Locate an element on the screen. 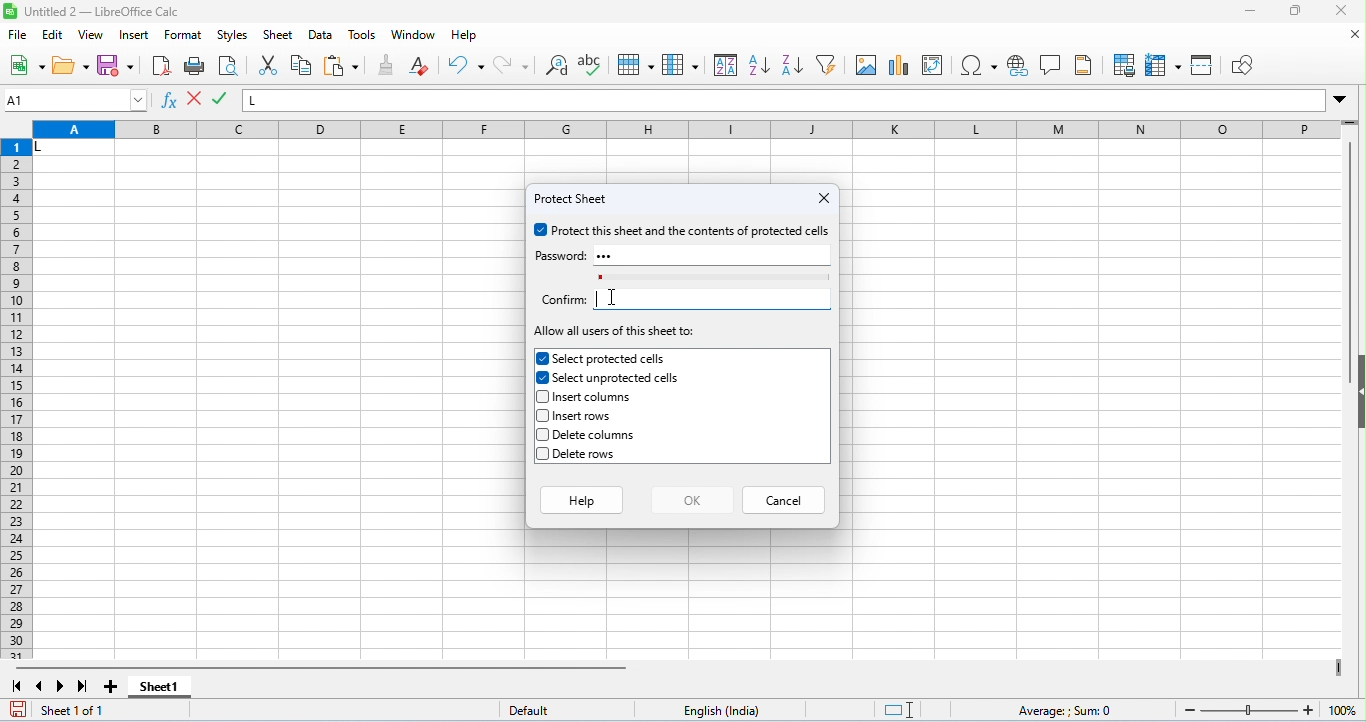 Image resolution: width=1366 pixels, height=722 pixels. insert columns is located at coordinates (590, 398).